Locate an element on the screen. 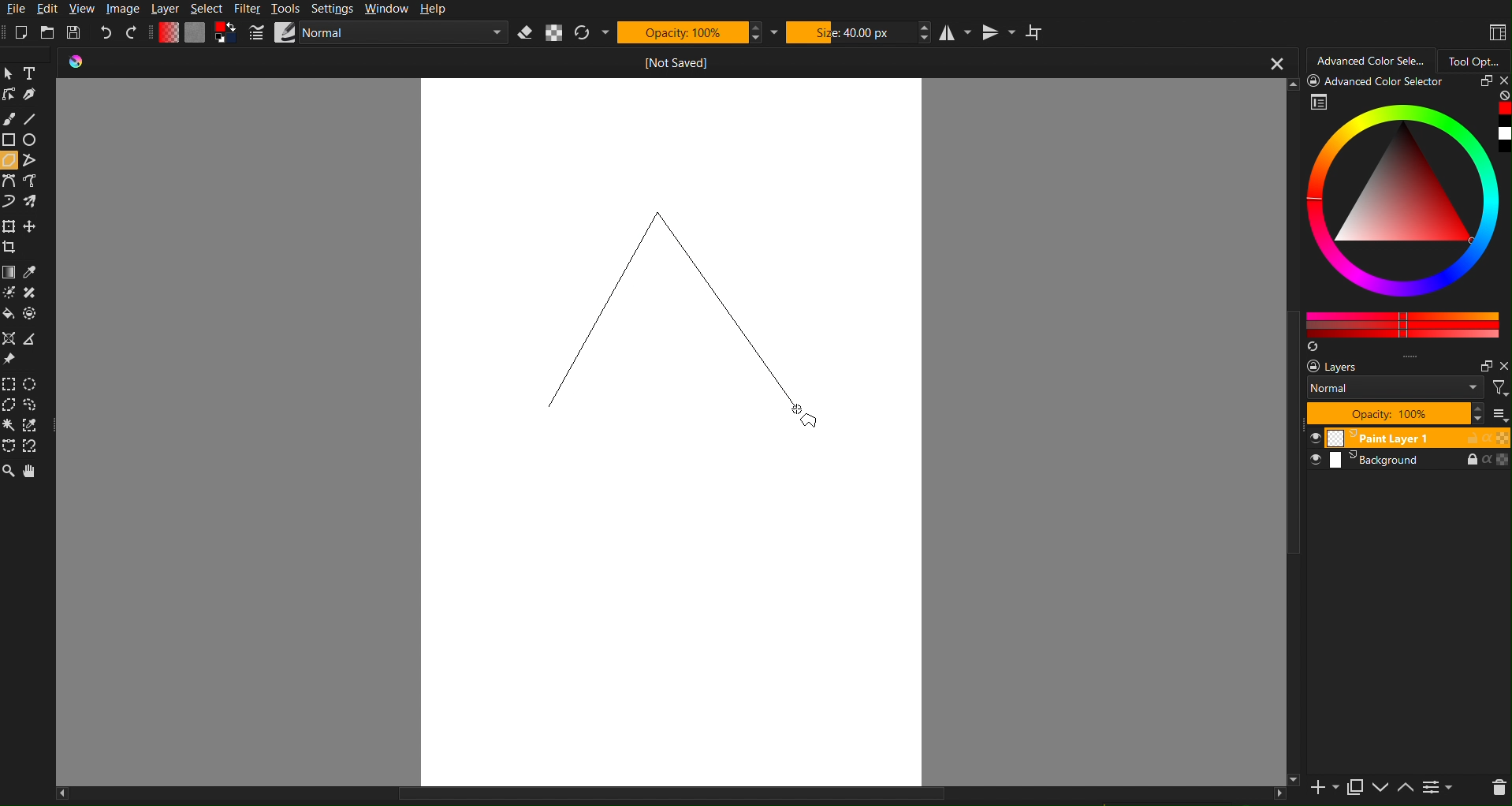 The width and height of the screenshot is (1512, 806). icon is located at coordinates (83, 63).